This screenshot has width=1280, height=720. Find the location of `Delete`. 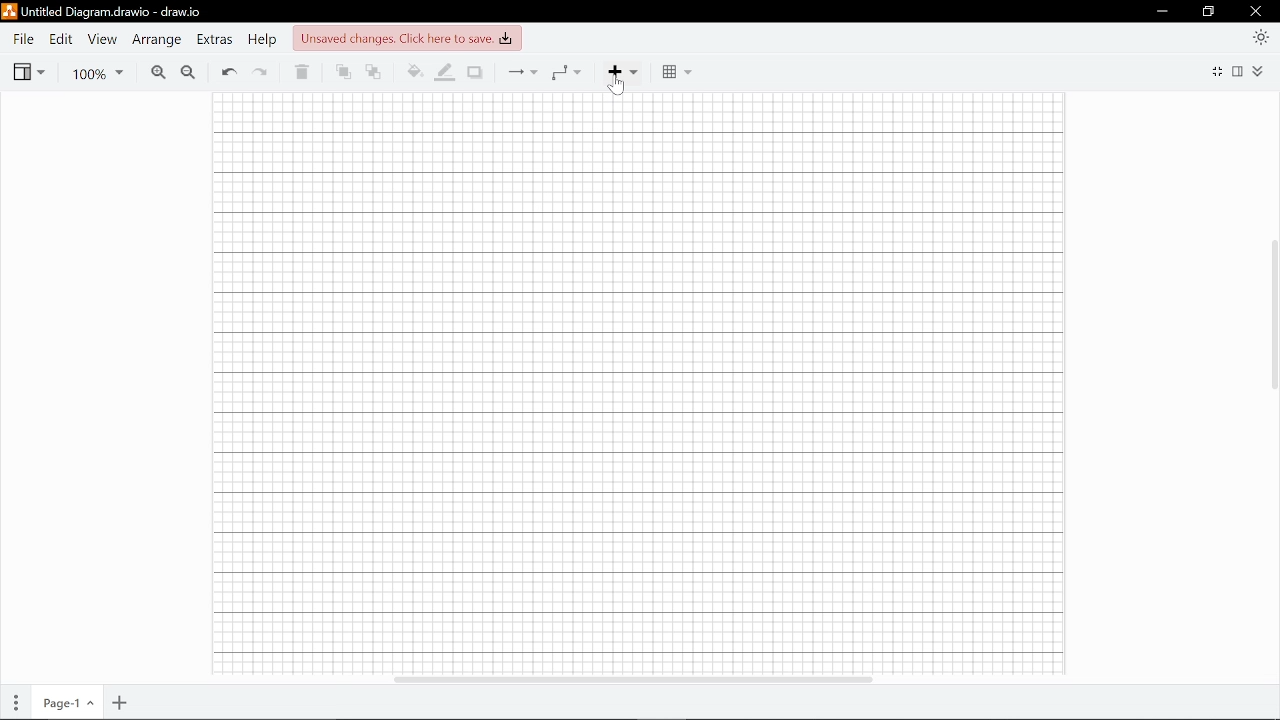

Delete is located at coordinates (301, 73).